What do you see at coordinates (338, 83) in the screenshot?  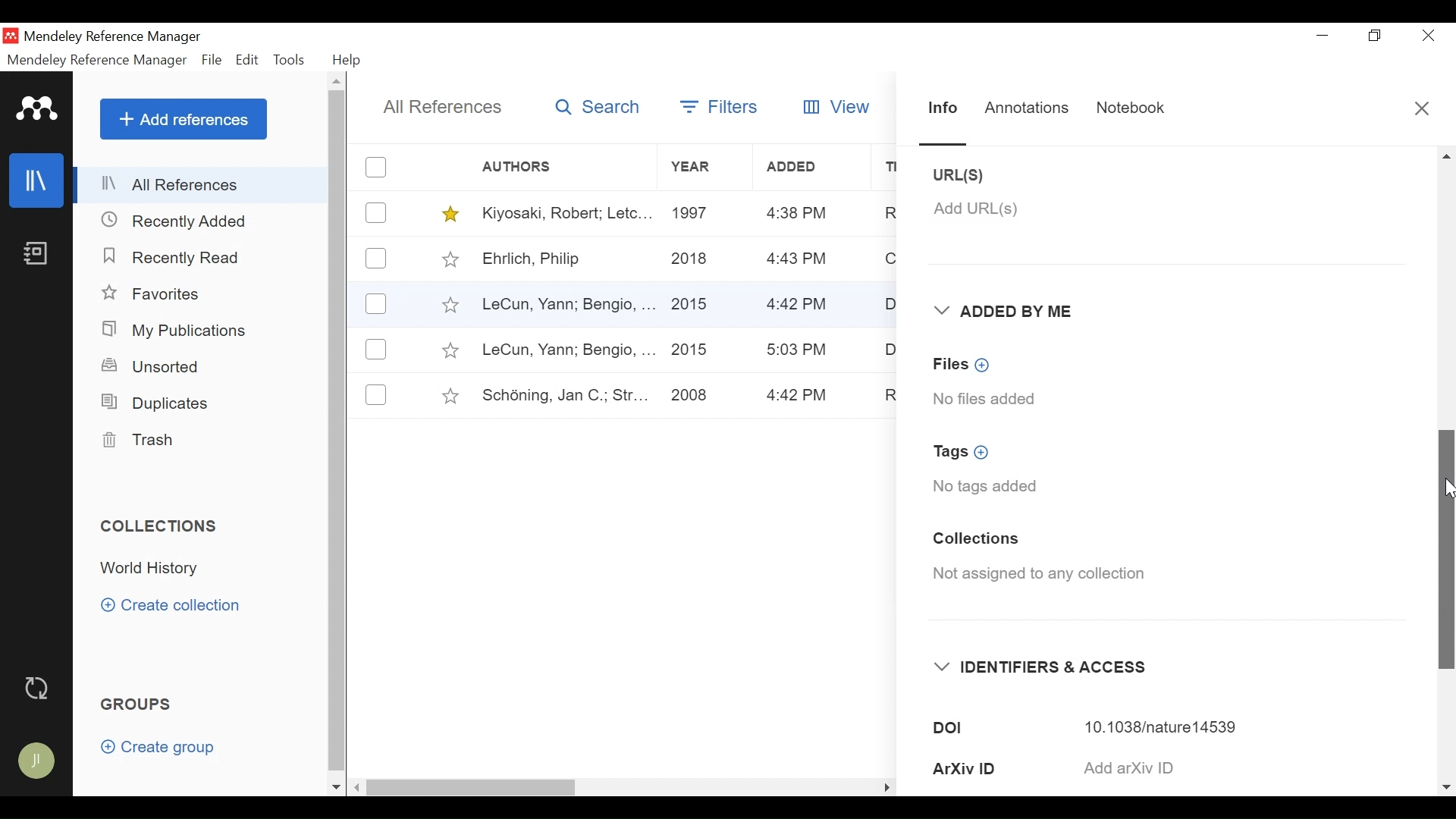 I see `Scroll up` at bounding box center [338, 83].